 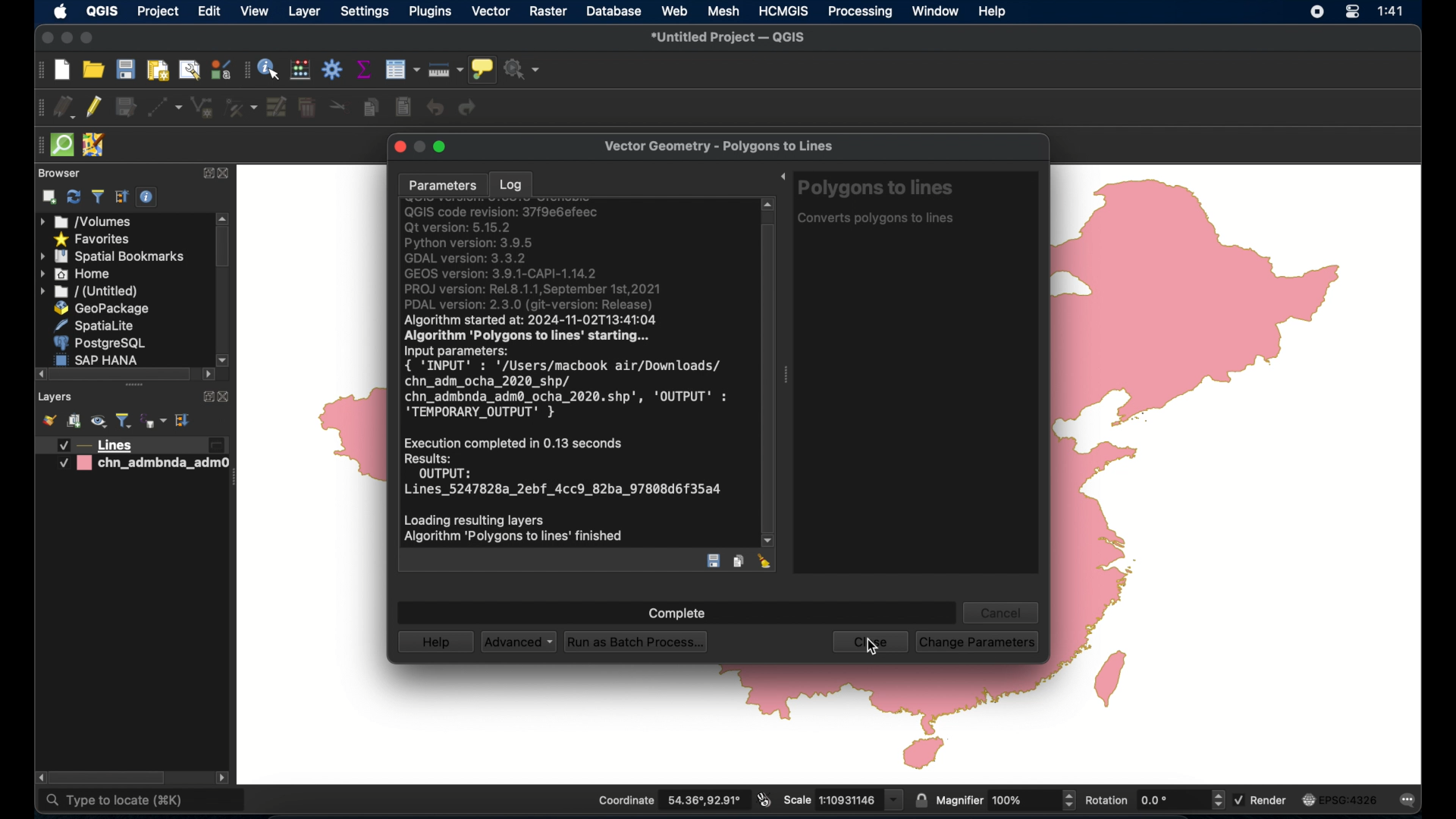 What do you see at coordinates (433, 641) in the screenshot?
I see `help` at bounding box center [433, 641].